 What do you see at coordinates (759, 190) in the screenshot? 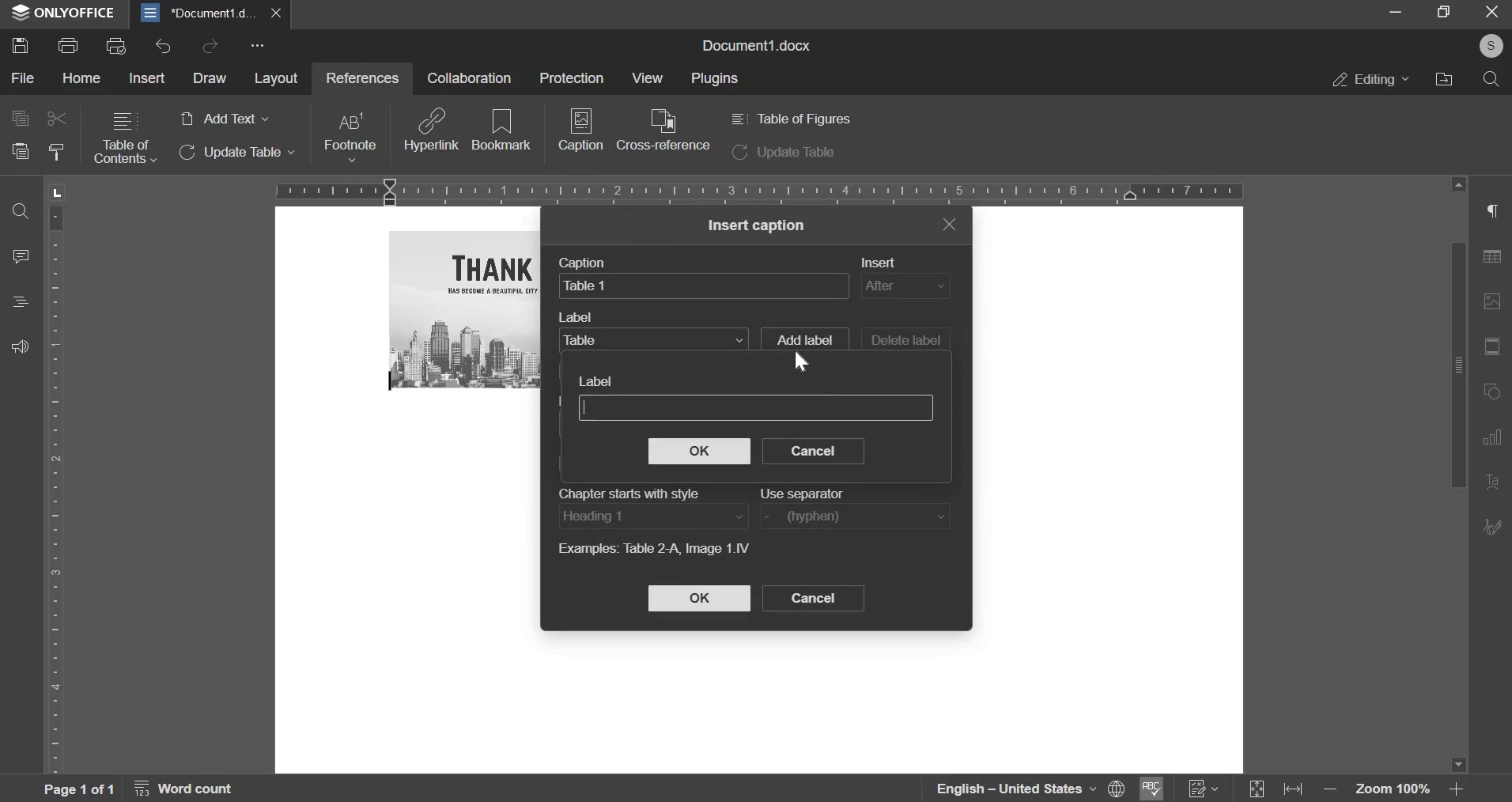
I see `horizontal scale` at bounding box center [759, 190].